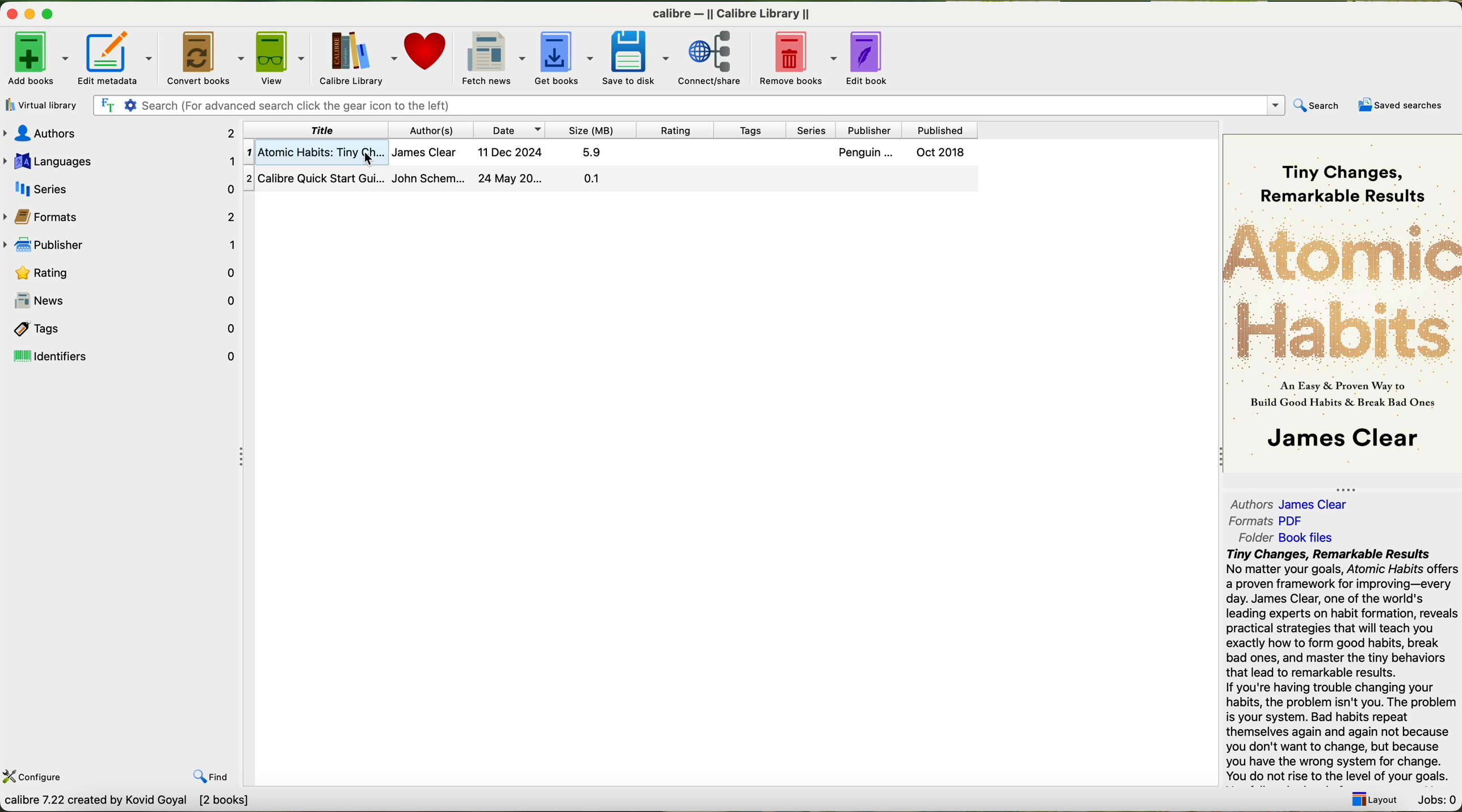 The height and width of the screenshot is (812, 1462). What do you see at coordinates (314, 130) in the screenshot?
I see `title` at bounding box center [314, 130].